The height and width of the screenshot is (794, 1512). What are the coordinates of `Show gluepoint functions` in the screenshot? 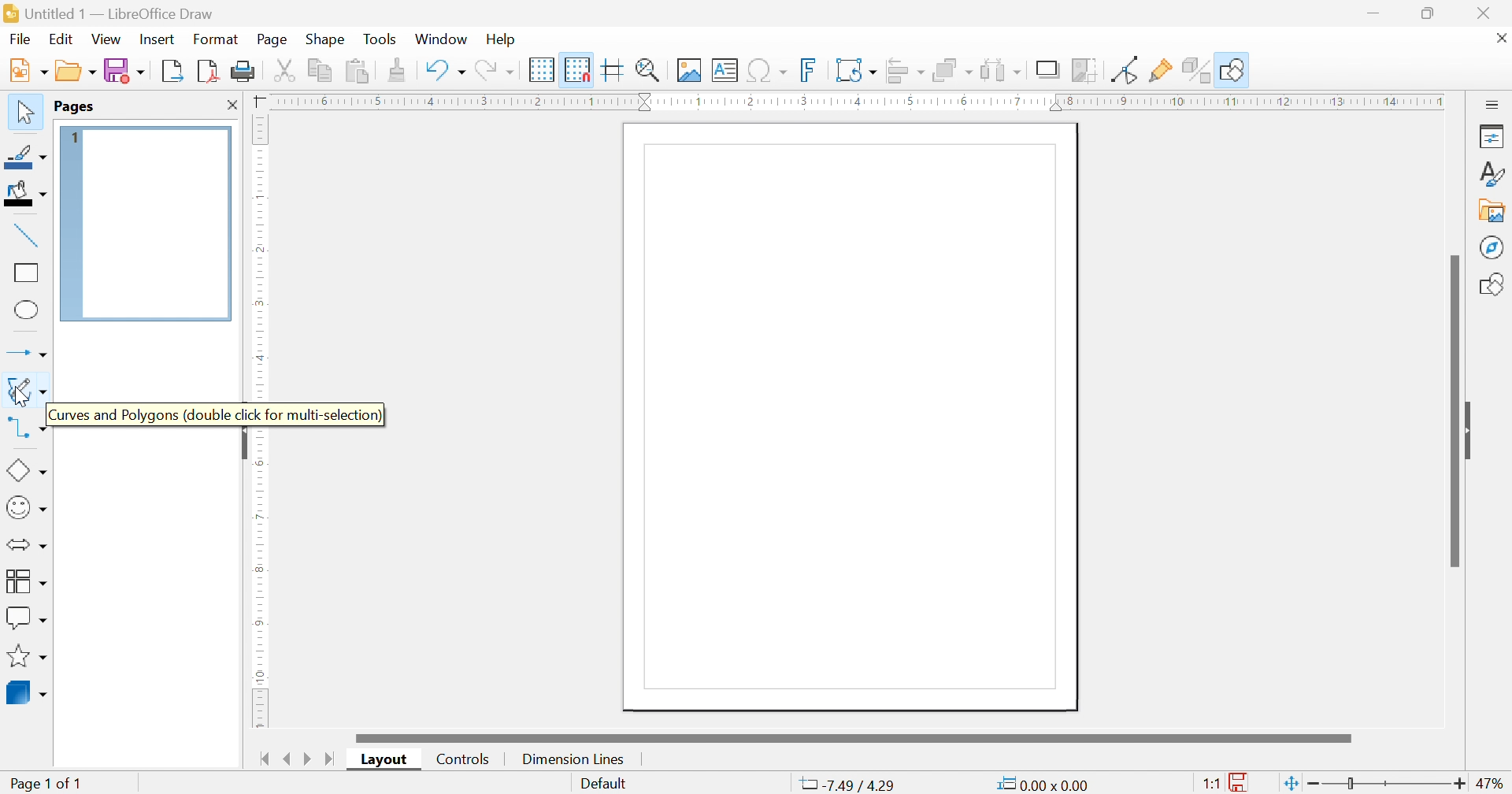 It's located at (1161, 70).